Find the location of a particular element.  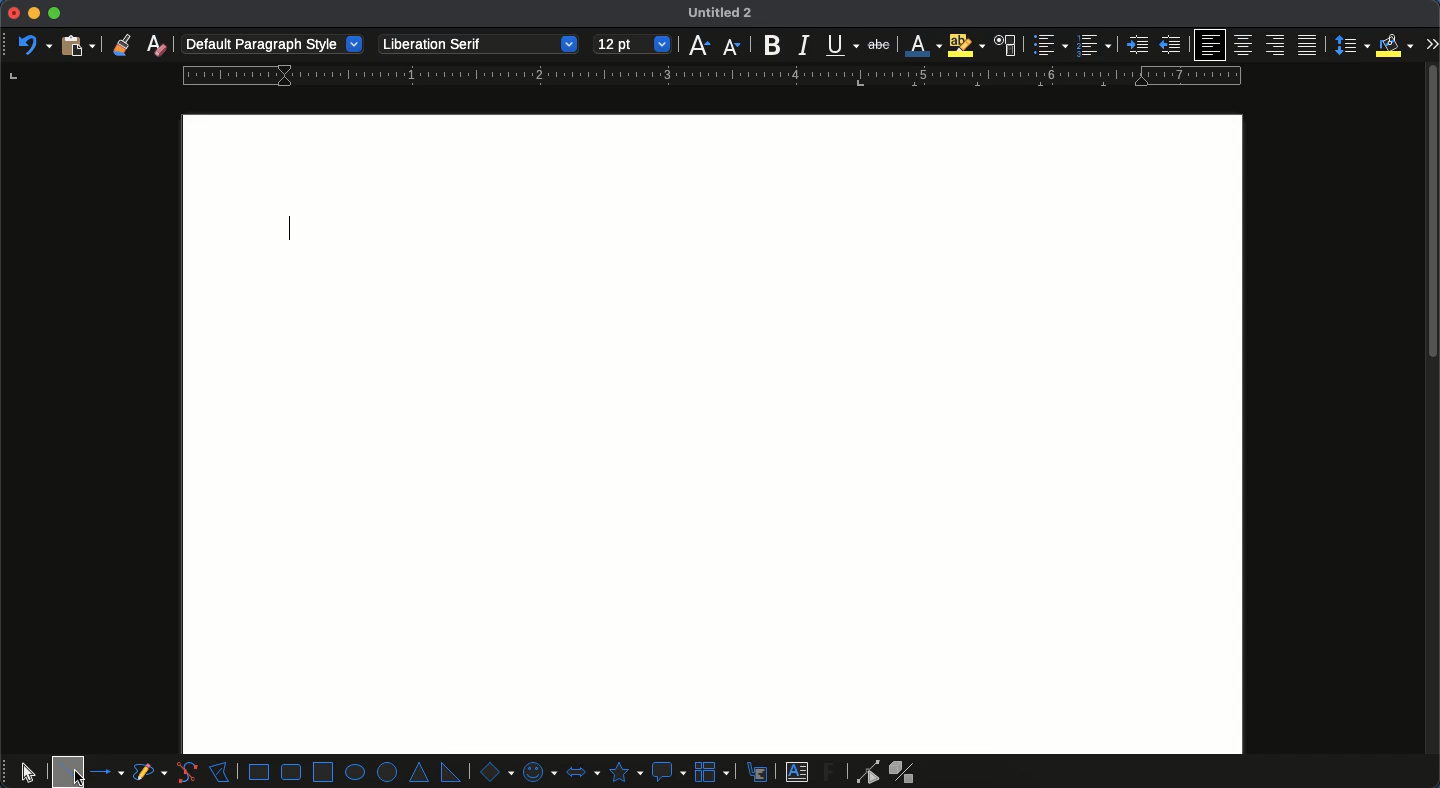

center align is located at coordinates (1246, 45).